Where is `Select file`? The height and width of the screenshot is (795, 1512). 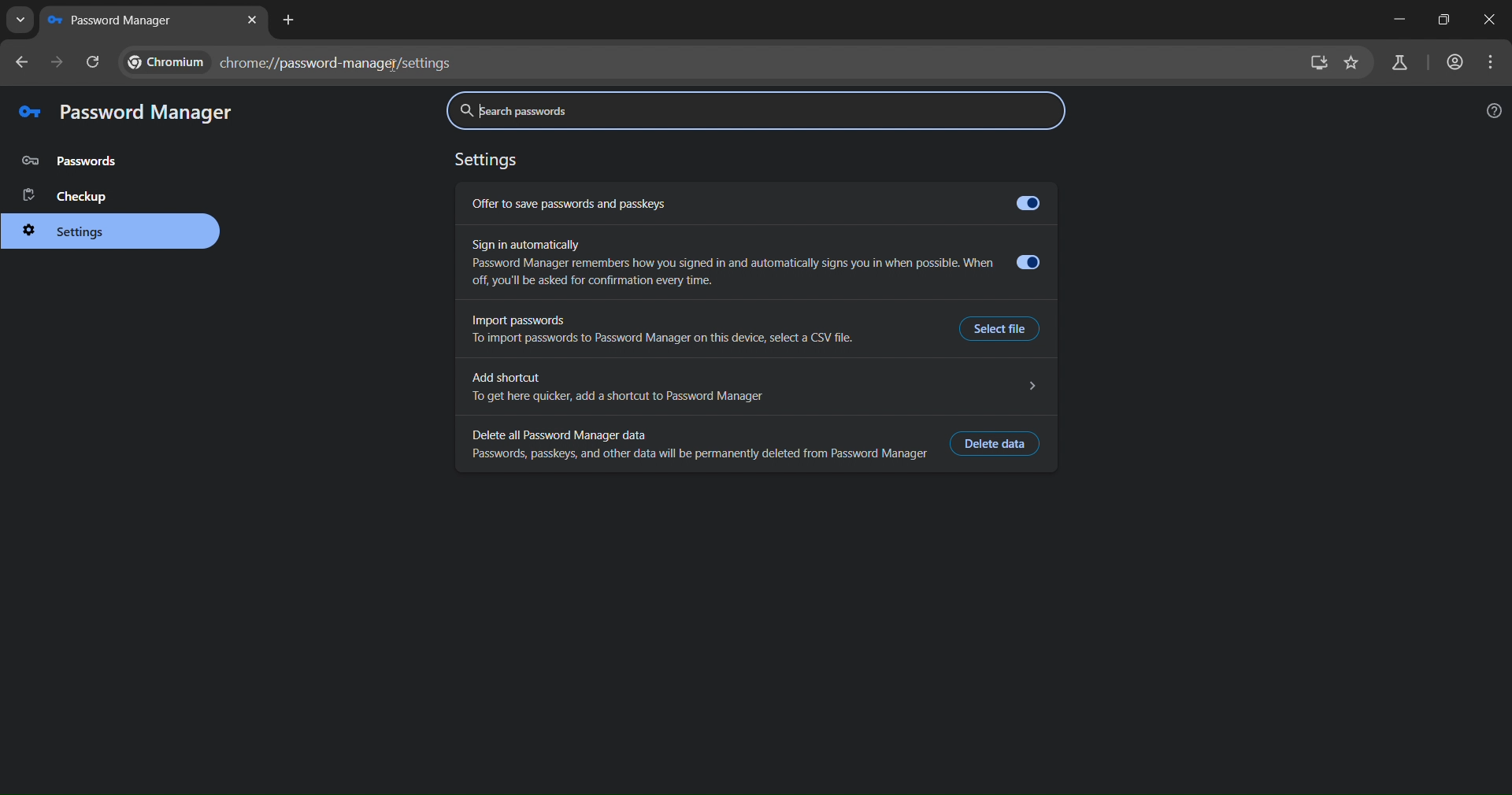
Select file is located at coordinates (1004, 328).